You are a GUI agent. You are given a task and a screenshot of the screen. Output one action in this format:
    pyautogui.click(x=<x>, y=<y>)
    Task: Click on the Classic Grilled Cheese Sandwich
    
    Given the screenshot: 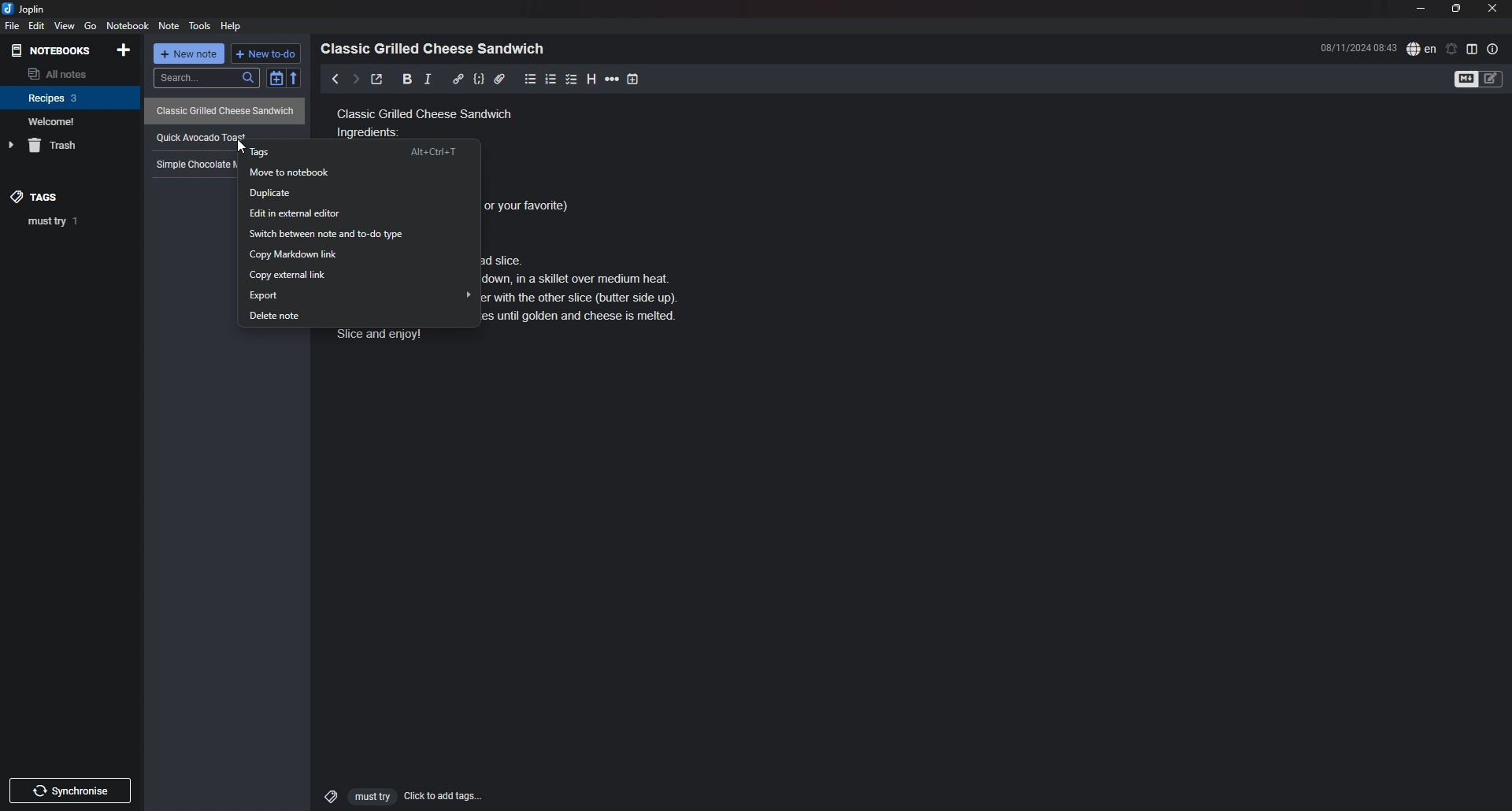 What is the action you would take?
    pyautogui.click(x=226, y=109)
    